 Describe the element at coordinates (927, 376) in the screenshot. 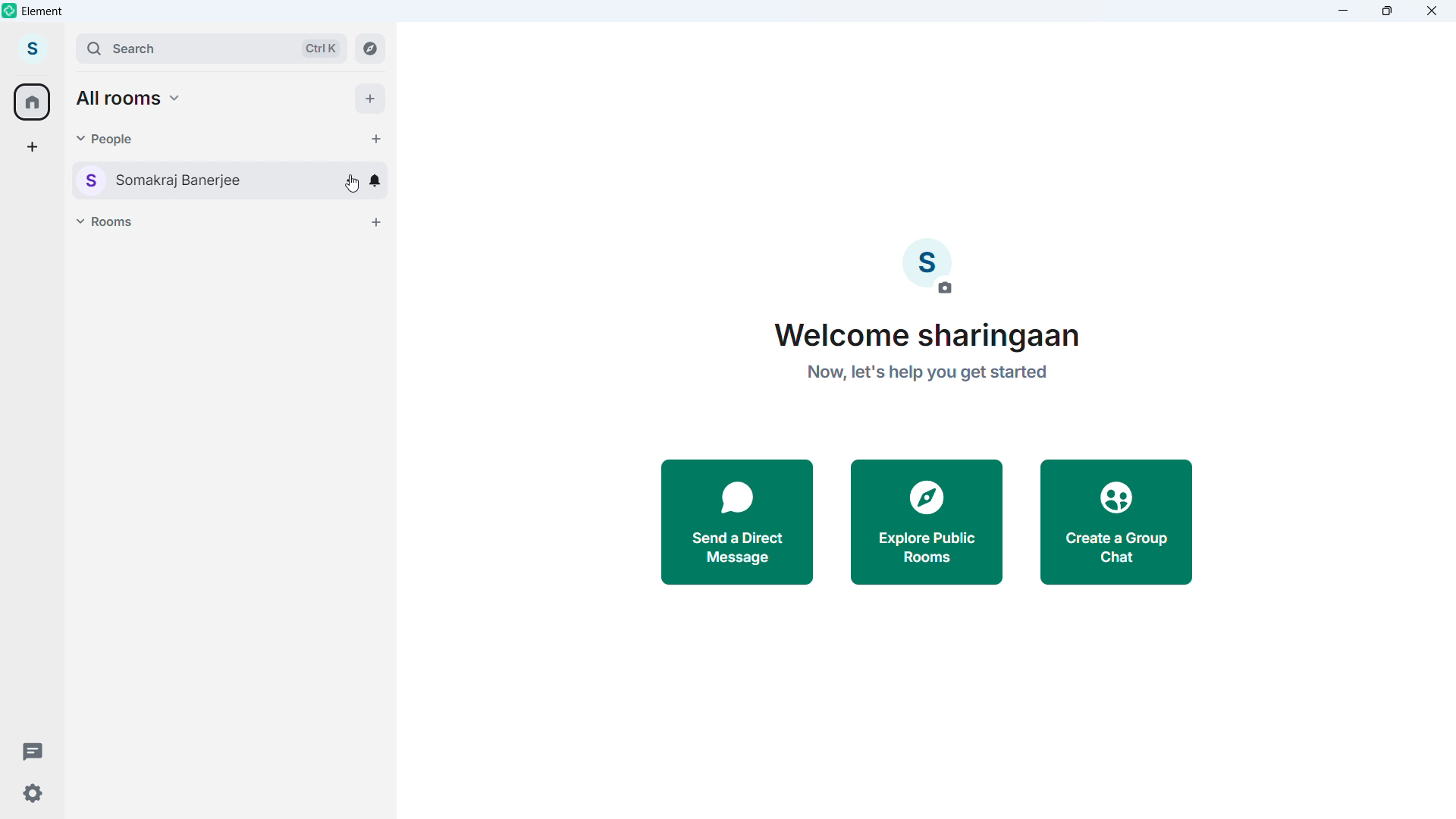

I see `now,let's help you get started` at that location.